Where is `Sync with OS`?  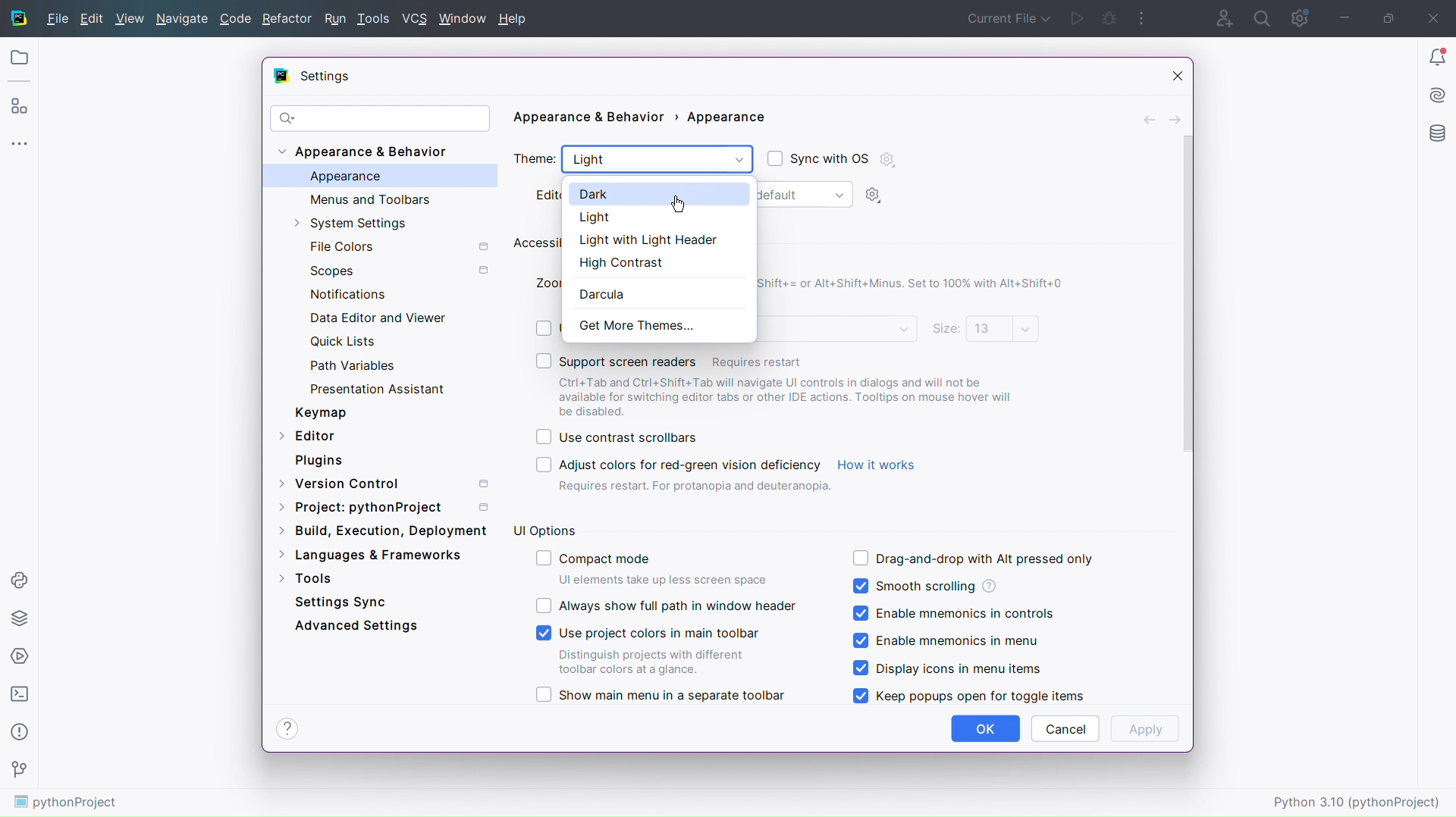
Sync with OS is located at coordinates (817, 157).